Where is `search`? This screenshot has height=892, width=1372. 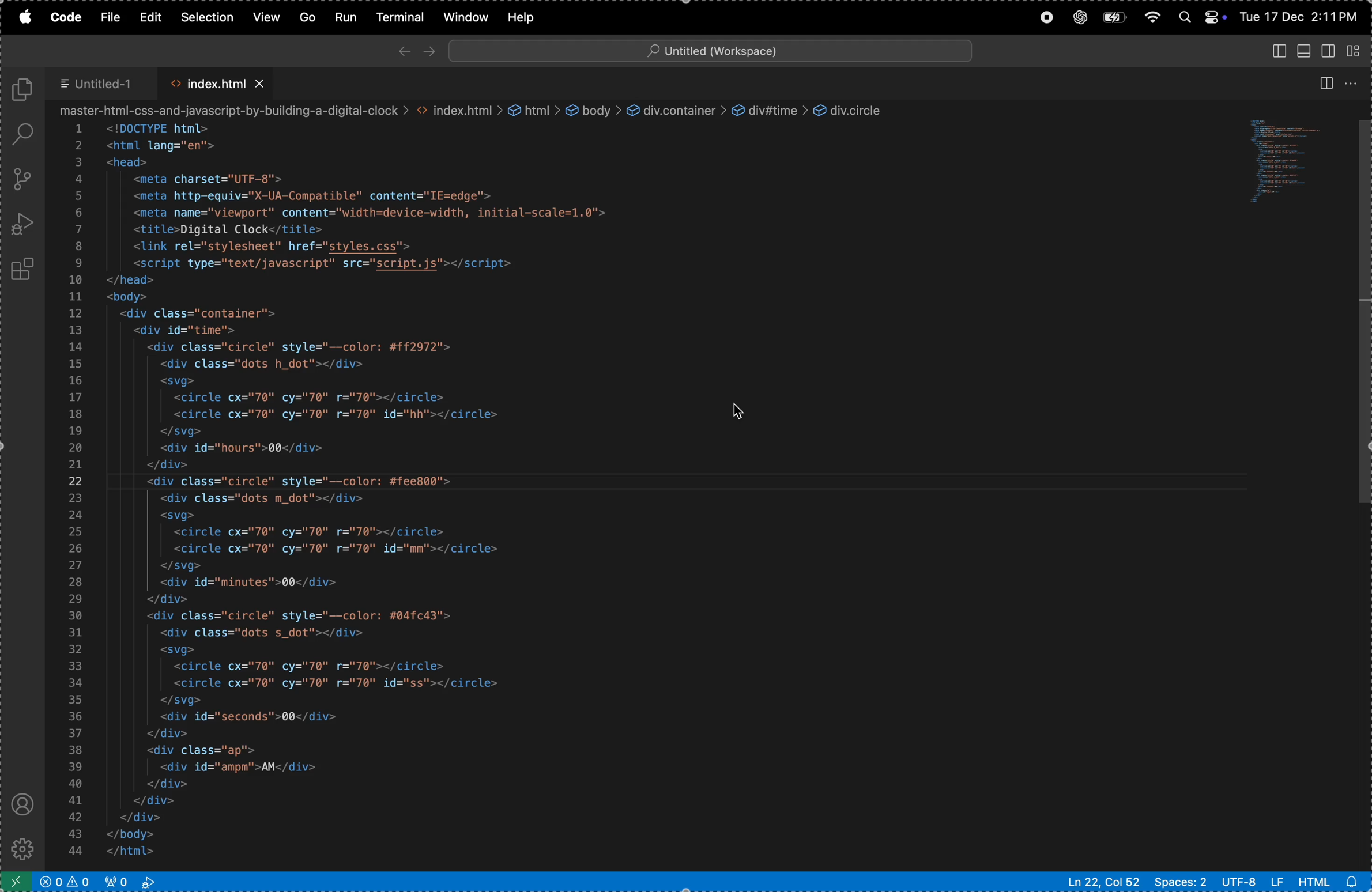 search is located at coordinates (18, 134).